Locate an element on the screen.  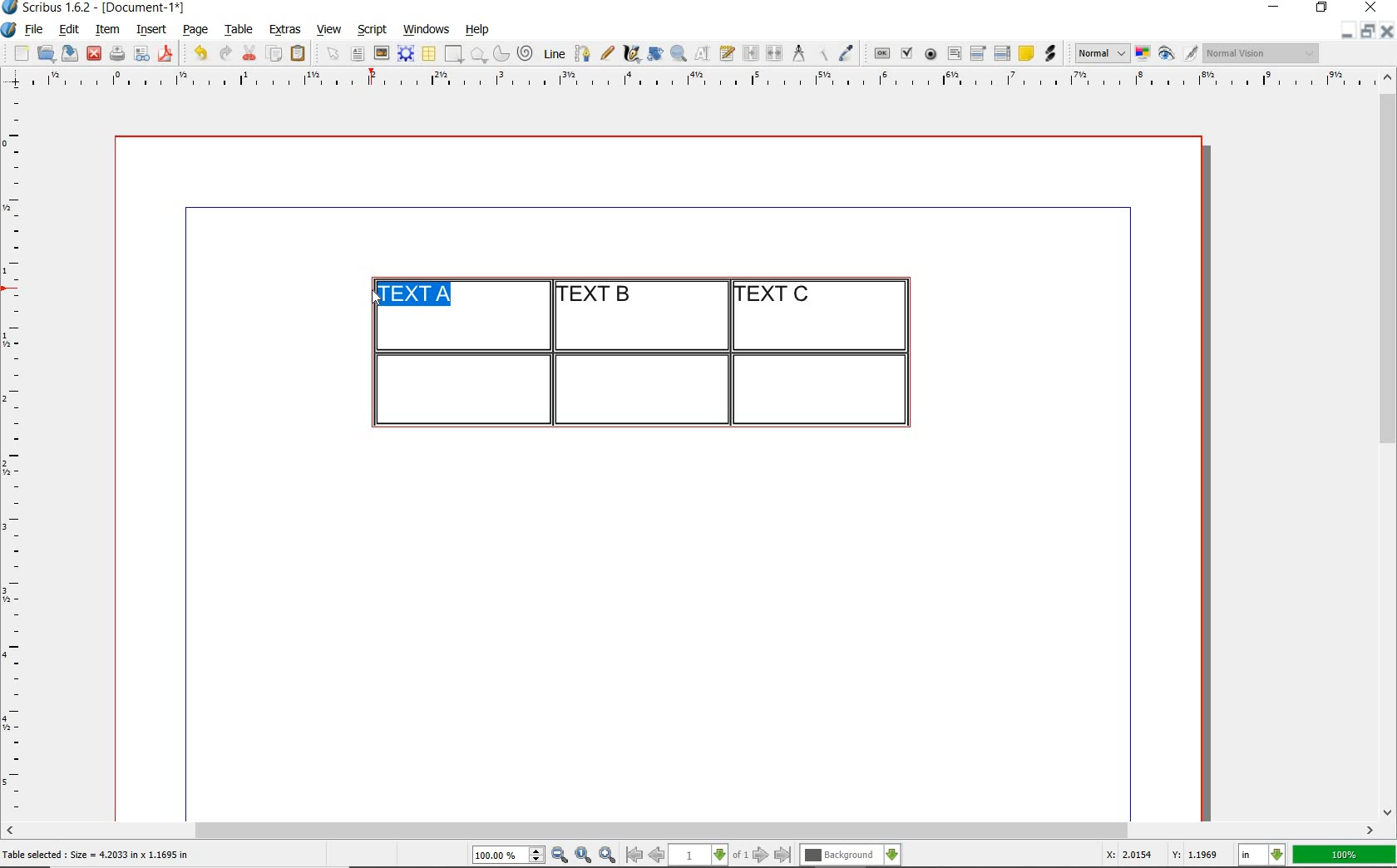
ruler is located at coordinates (709, 81).